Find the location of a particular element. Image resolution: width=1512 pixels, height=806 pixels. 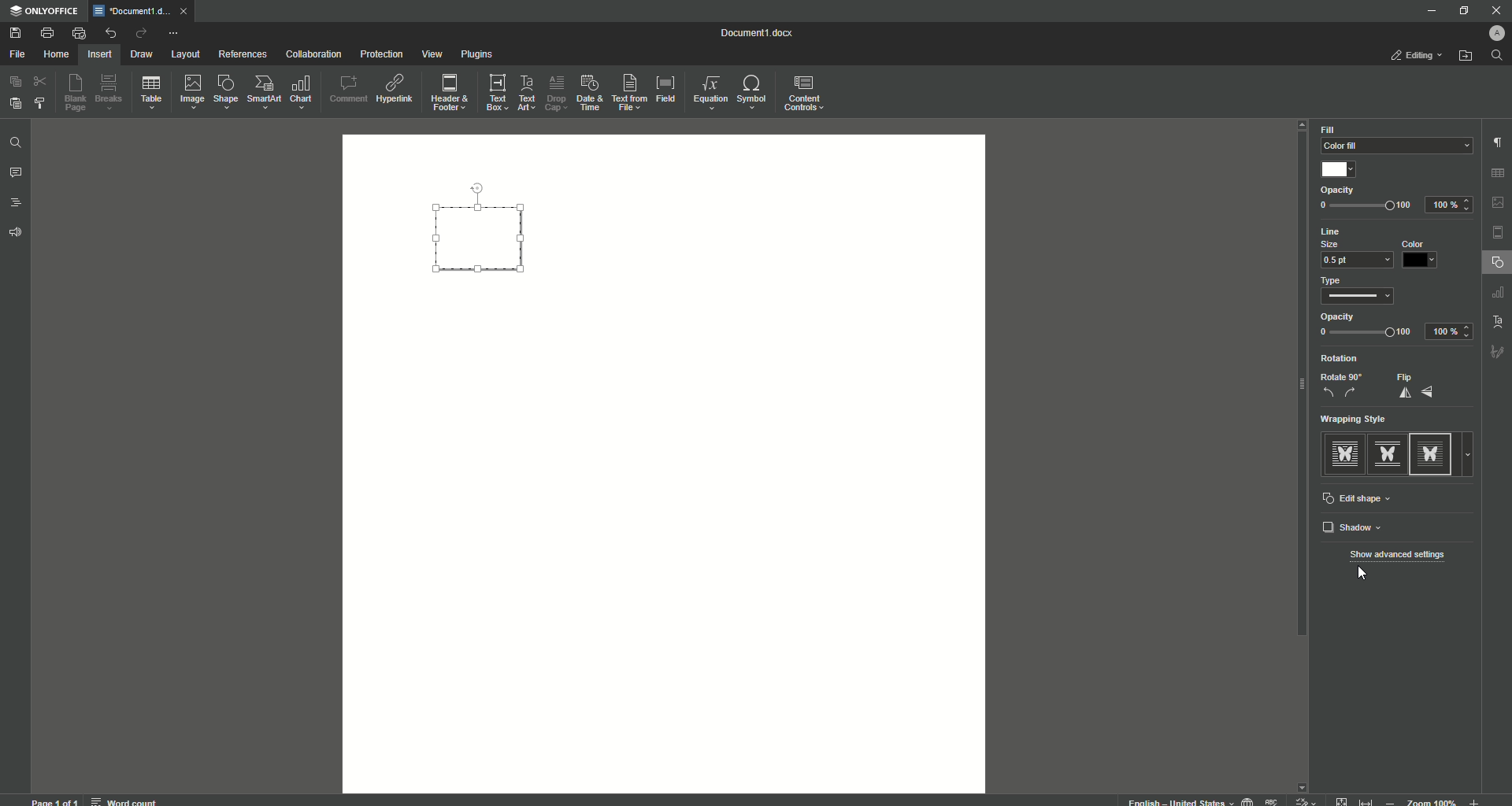

scroll up is located at coordinates (1303, 125).